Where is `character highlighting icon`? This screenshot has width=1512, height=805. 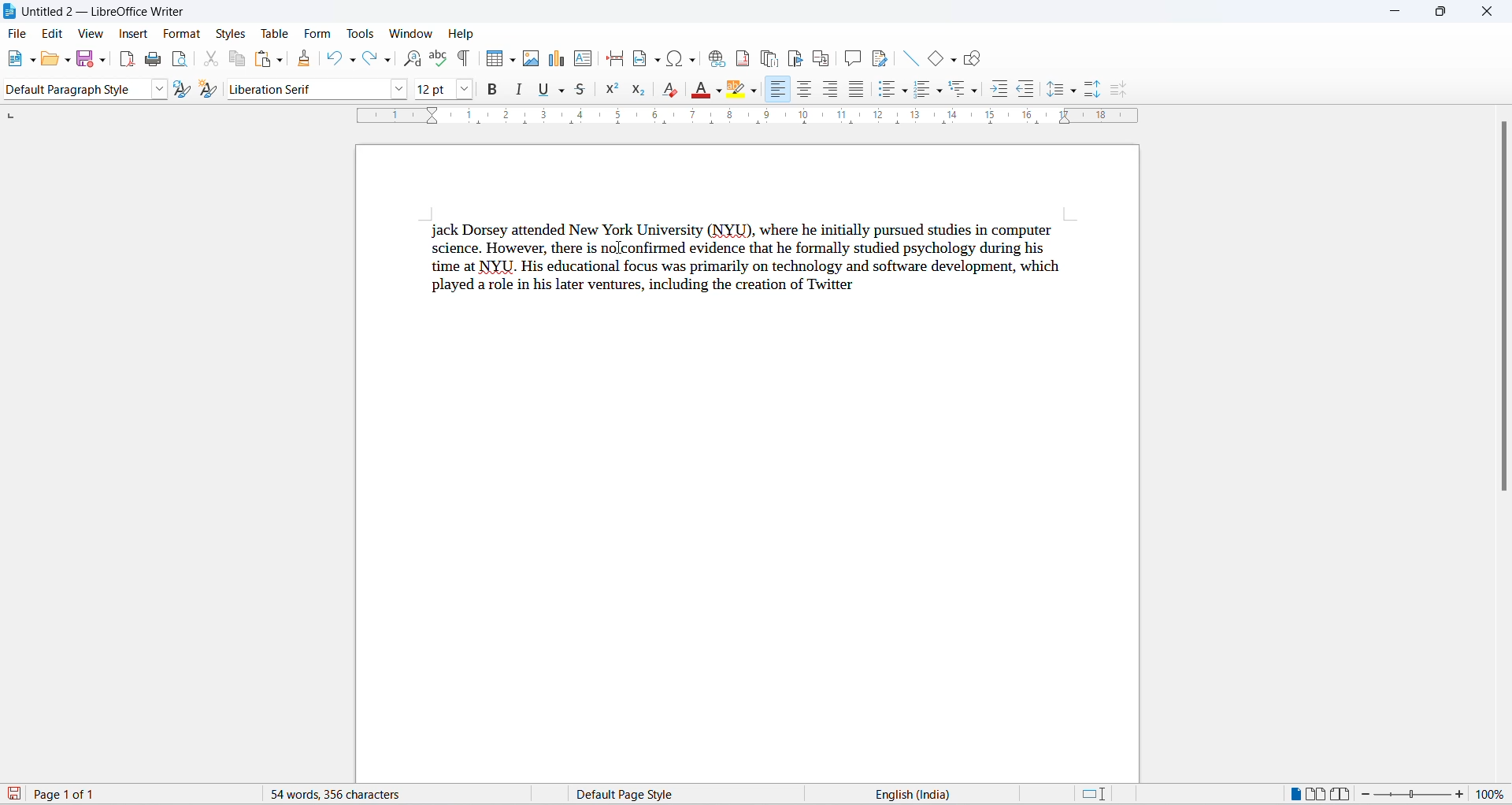 character highlighting icon is located at coordinates (736, 90).